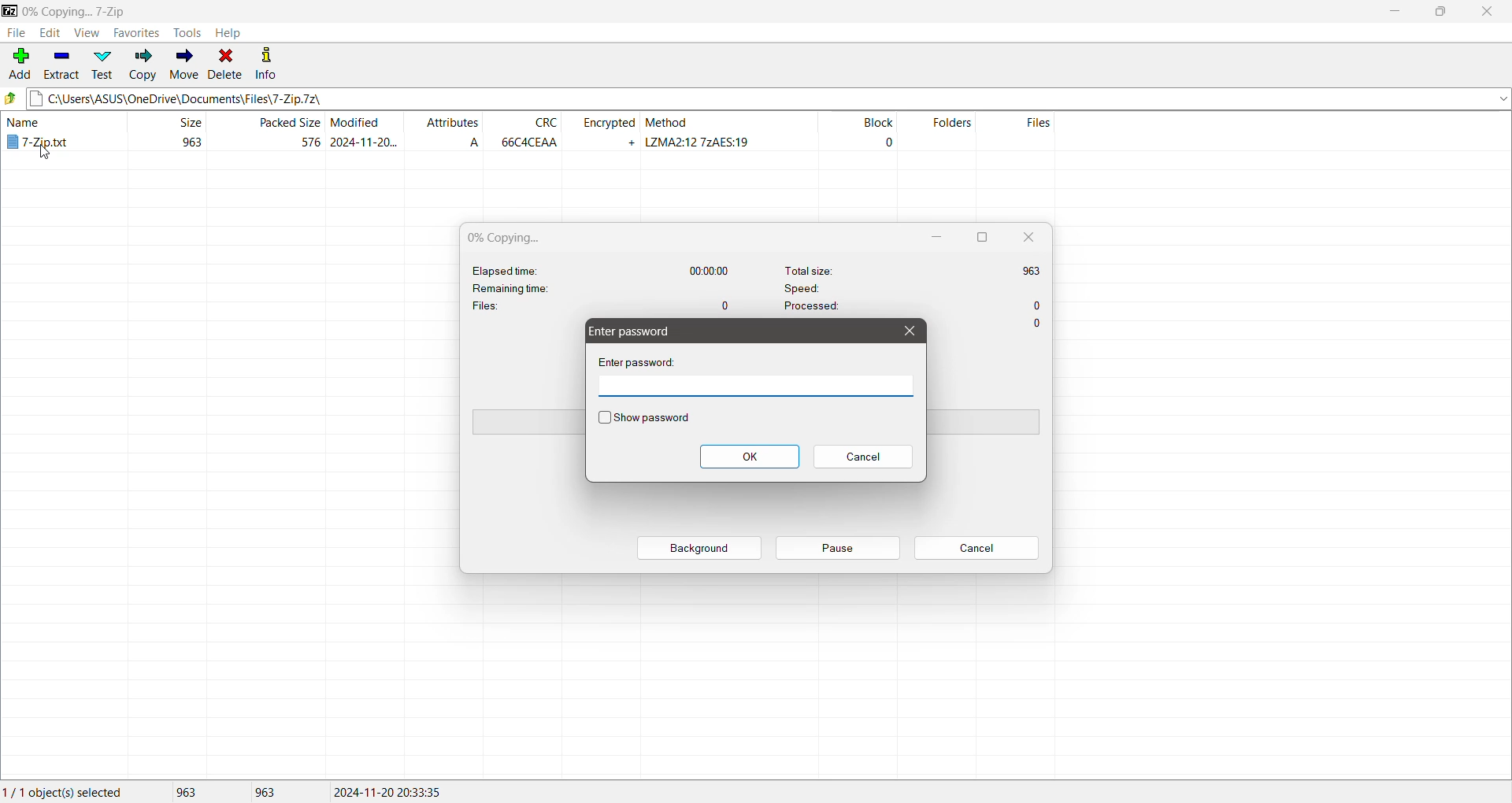  What do you see at coordinates (862, 457) in the screenshot?
I see `Cancel` at bounding box center [862, 457].